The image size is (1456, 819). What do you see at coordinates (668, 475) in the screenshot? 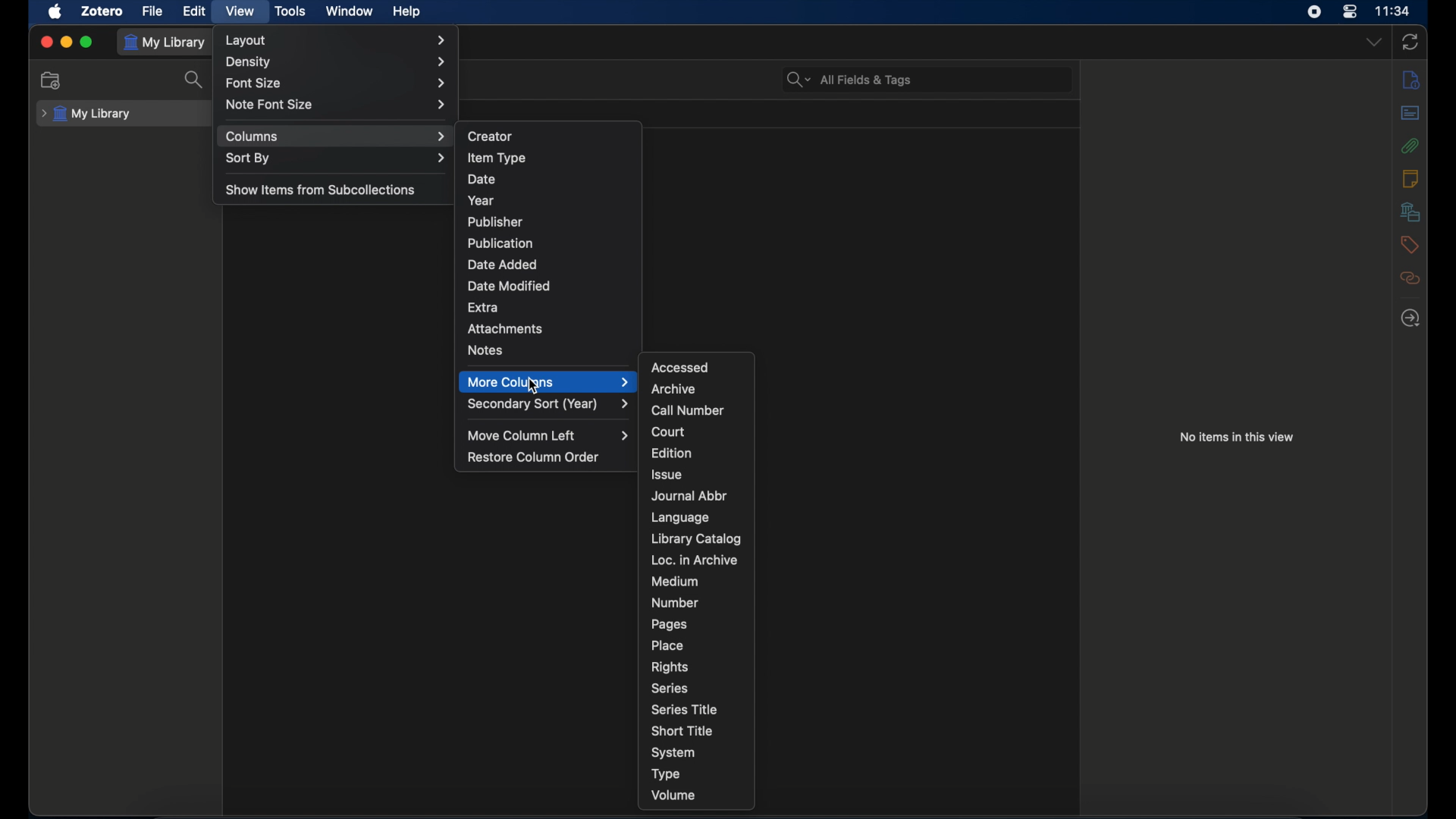
I see `issue` at bounding box center [668, 475].